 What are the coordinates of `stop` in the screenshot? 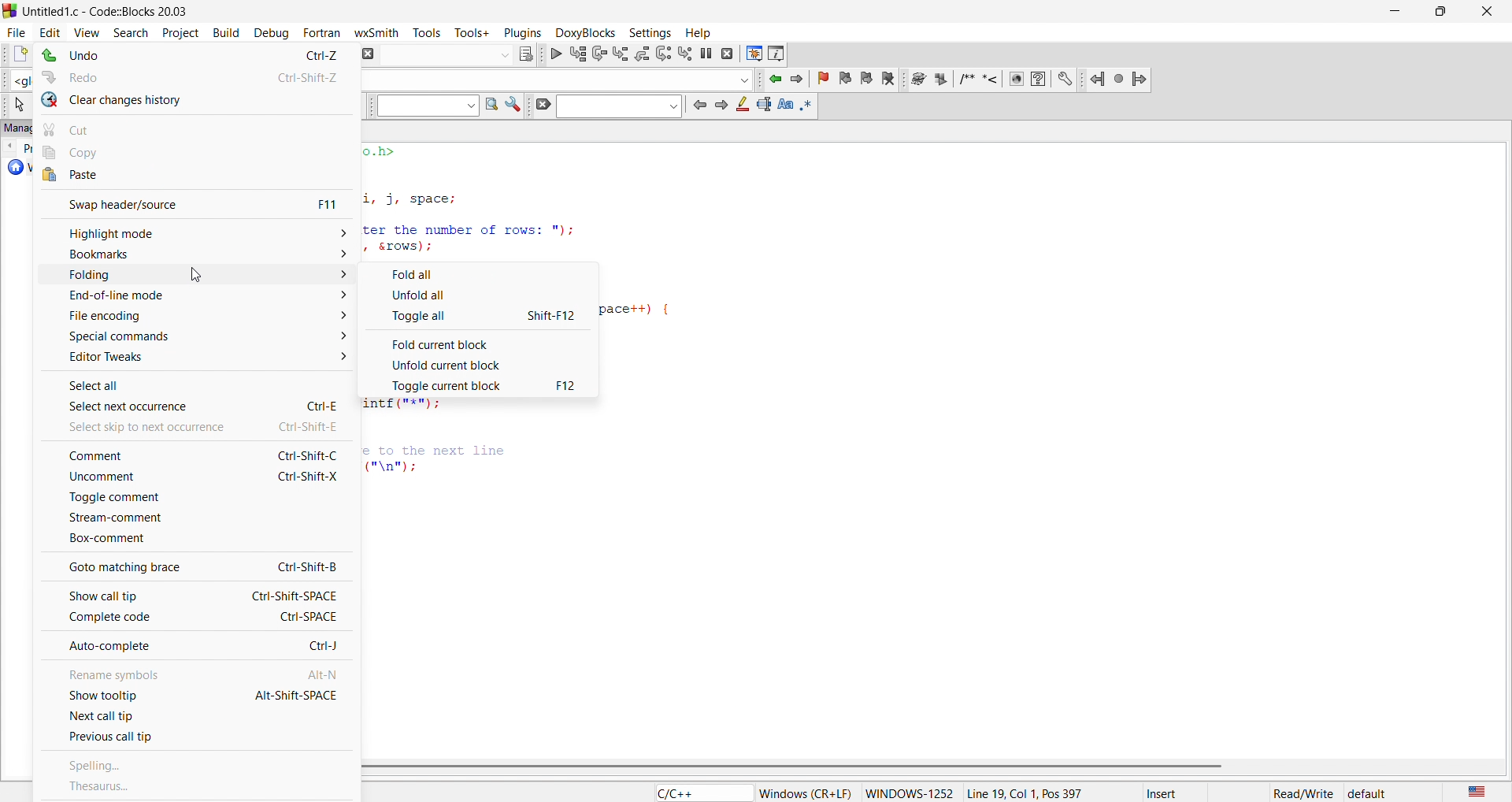 It's located at (1120, 78).